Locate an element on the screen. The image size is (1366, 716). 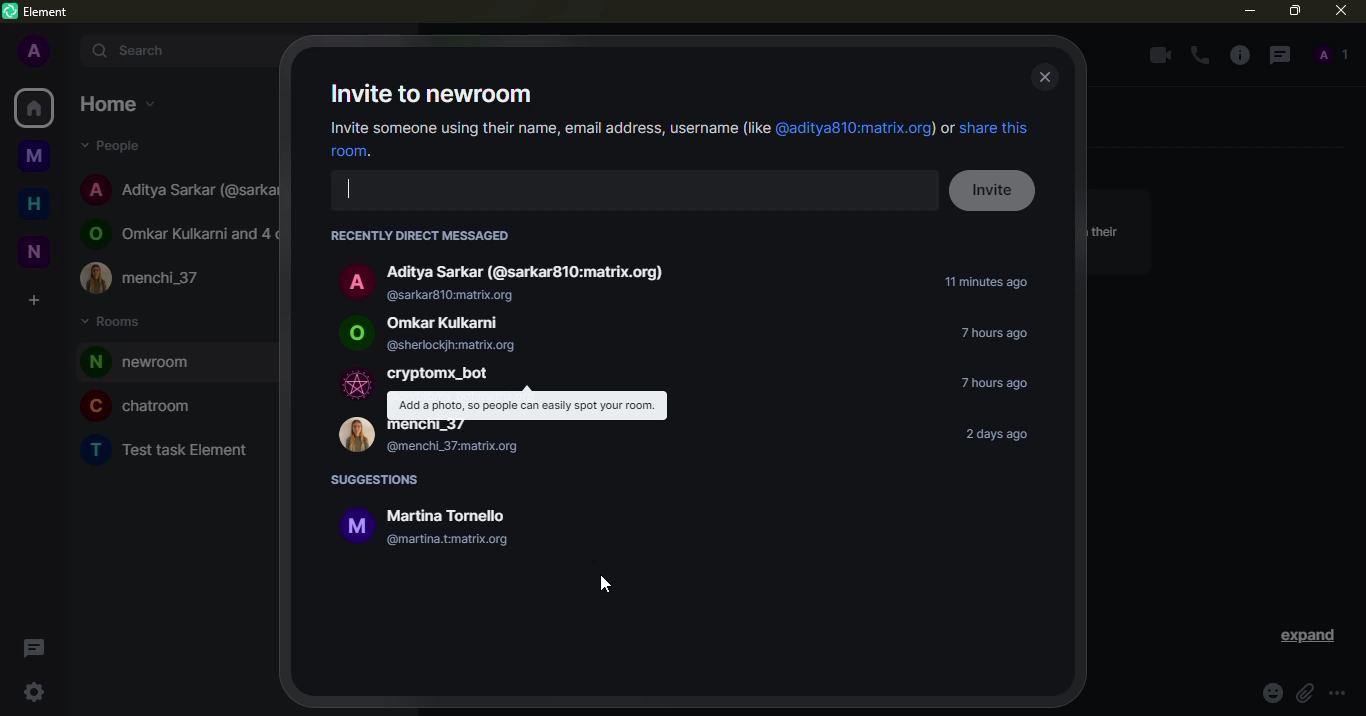
chatroom is located at coordinates (135, 409).